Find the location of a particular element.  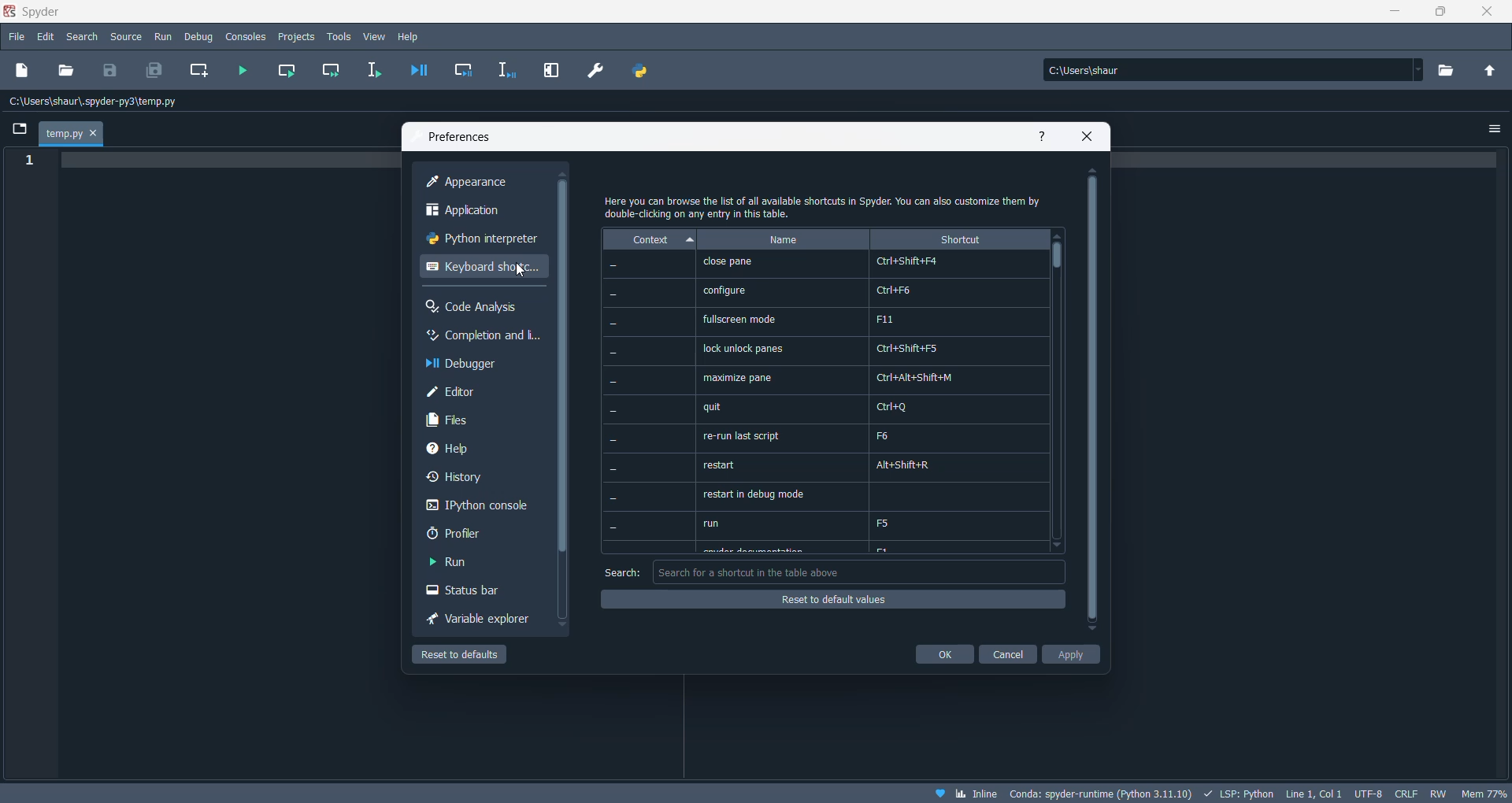

move down is located at coordinates (1064, 547).